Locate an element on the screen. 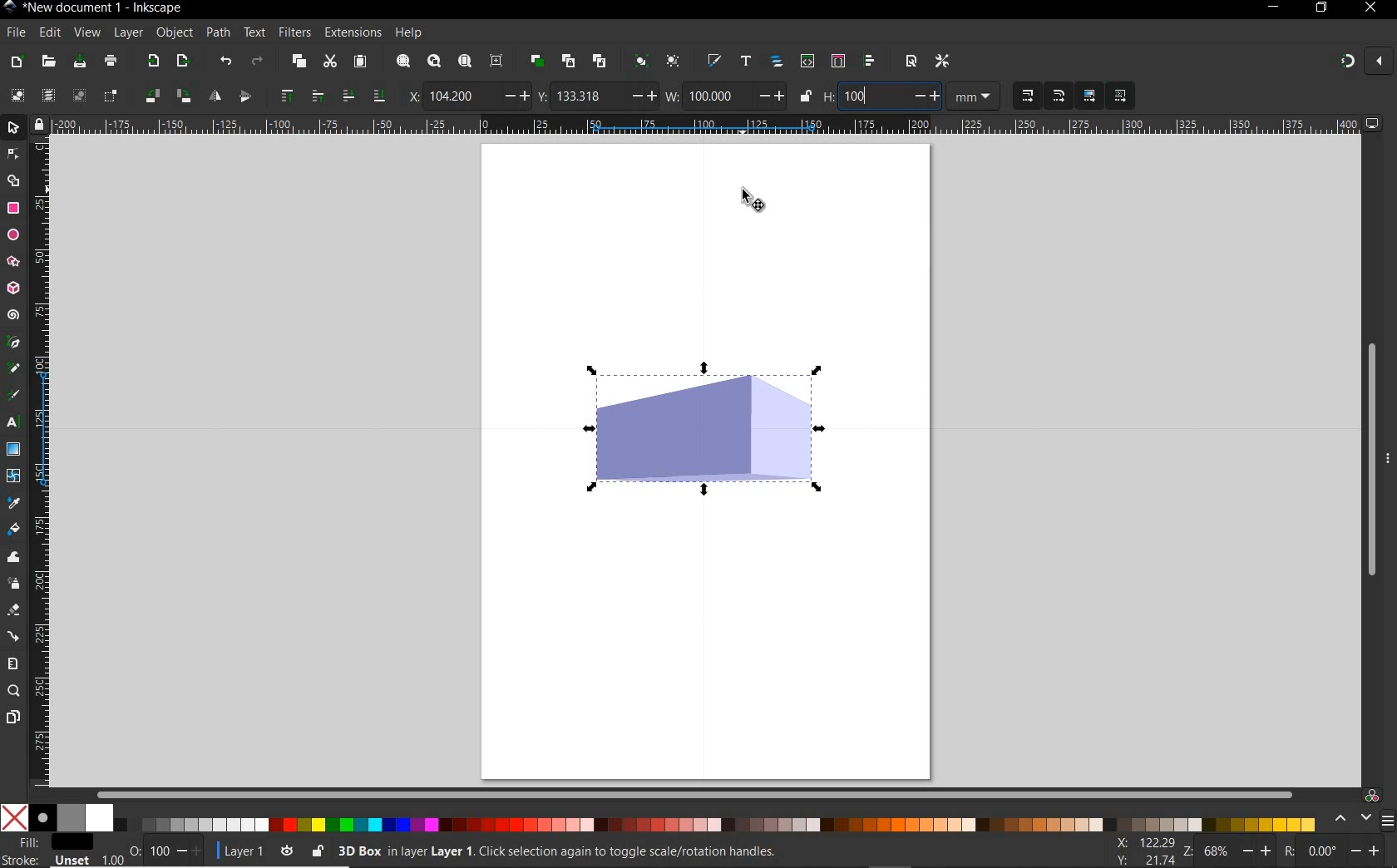  layer is located at coordinates (128, 33).